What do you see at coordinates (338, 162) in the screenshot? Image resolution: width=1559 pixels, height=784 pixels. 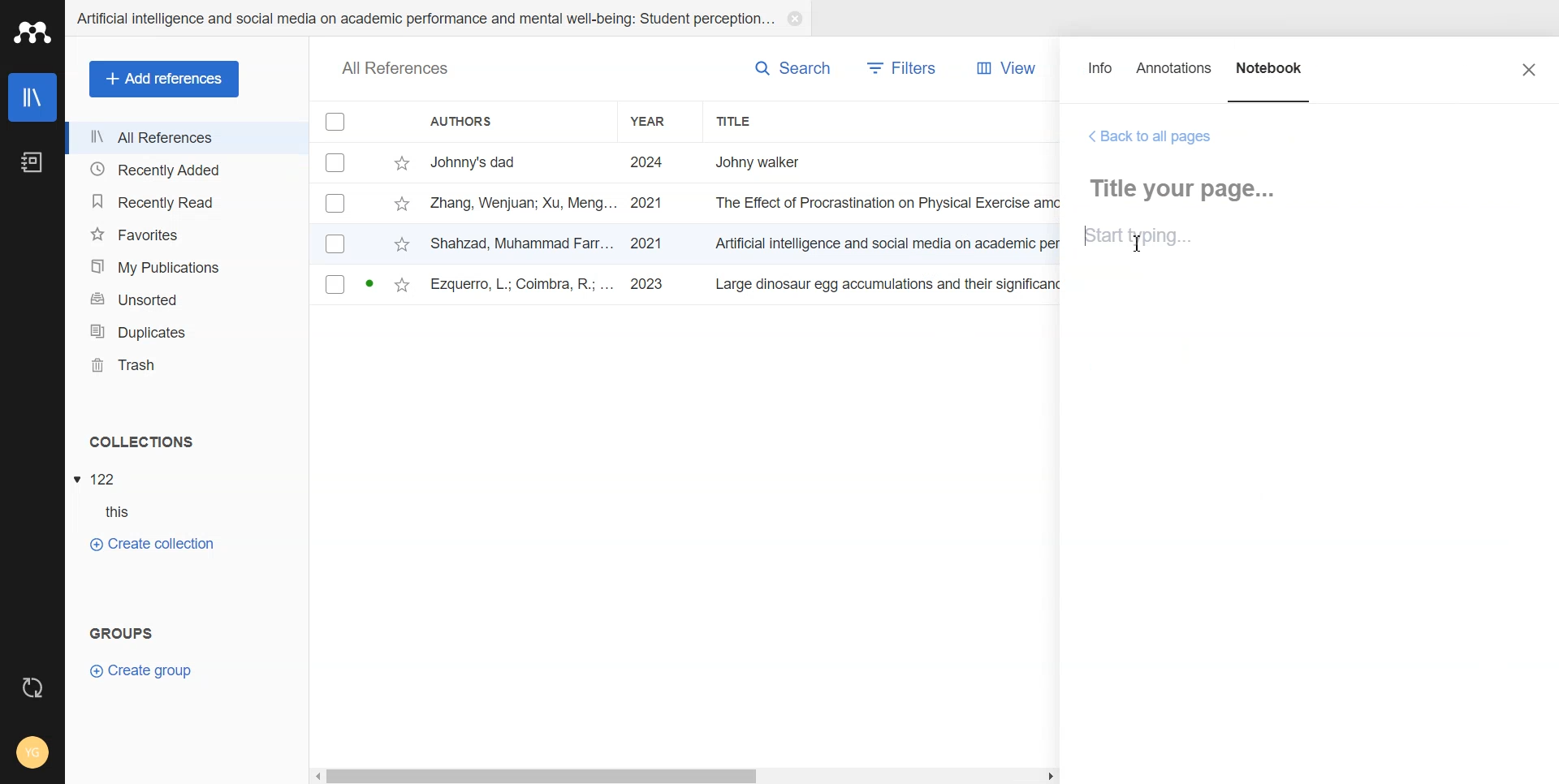 I see `Checkbox` at bounding box center [338, 162].